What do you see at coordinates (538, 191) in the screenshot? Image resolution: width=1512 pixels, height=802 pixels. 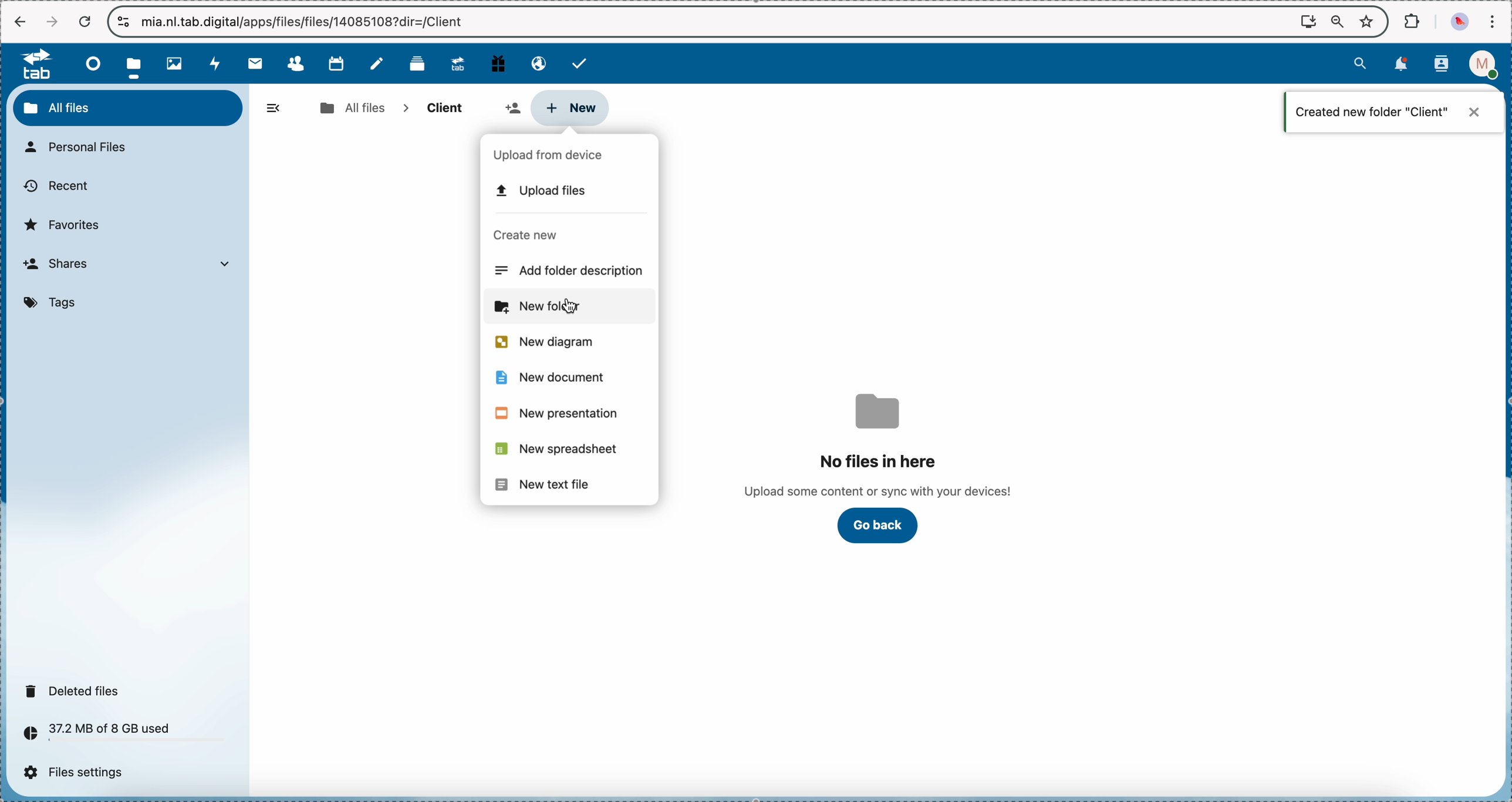 I see `upload files` at bounding box center [538, 191].